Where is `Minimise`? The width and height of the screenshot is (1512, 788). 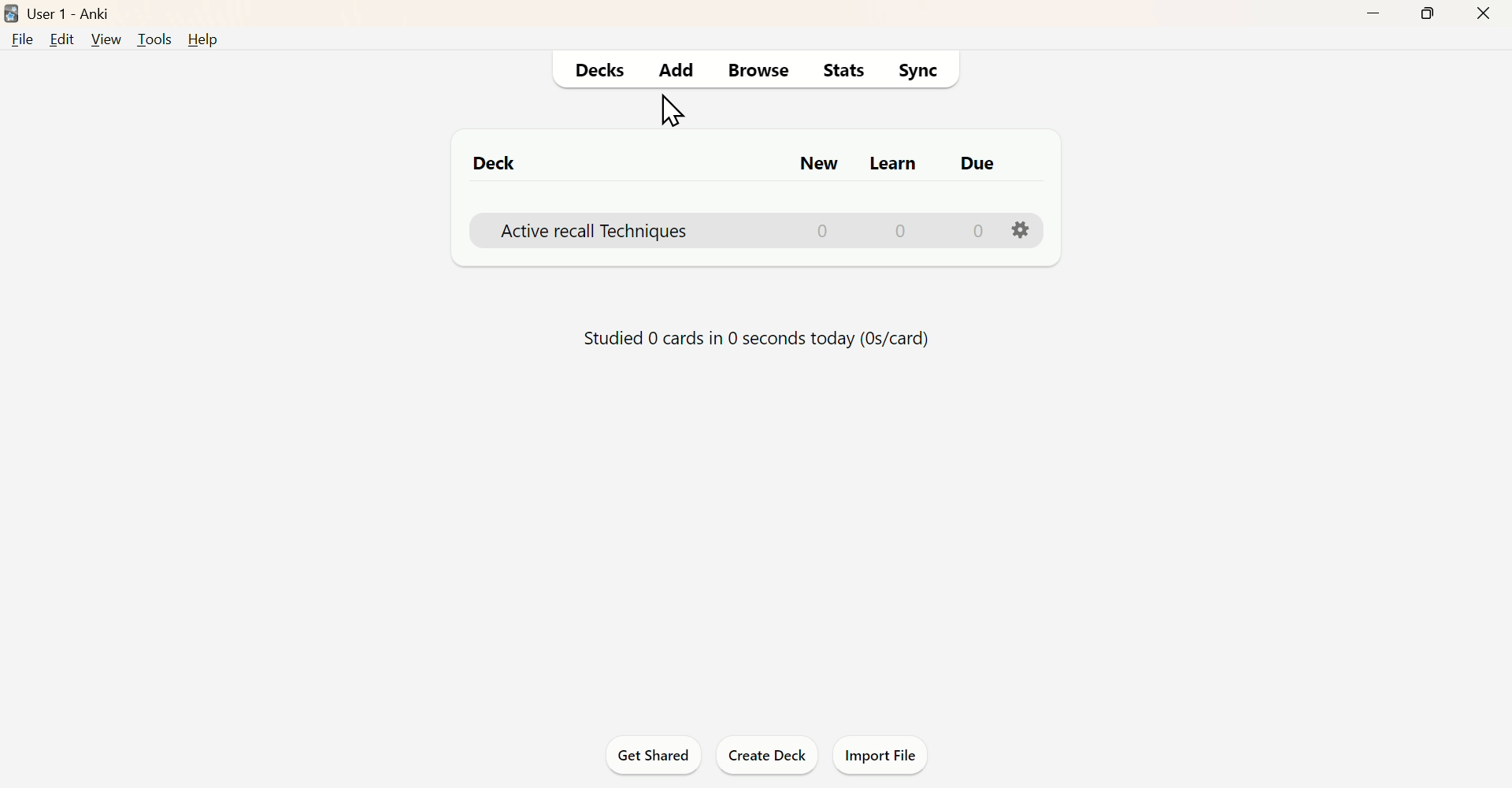 Minimise is located at coordinates (1373, 15).